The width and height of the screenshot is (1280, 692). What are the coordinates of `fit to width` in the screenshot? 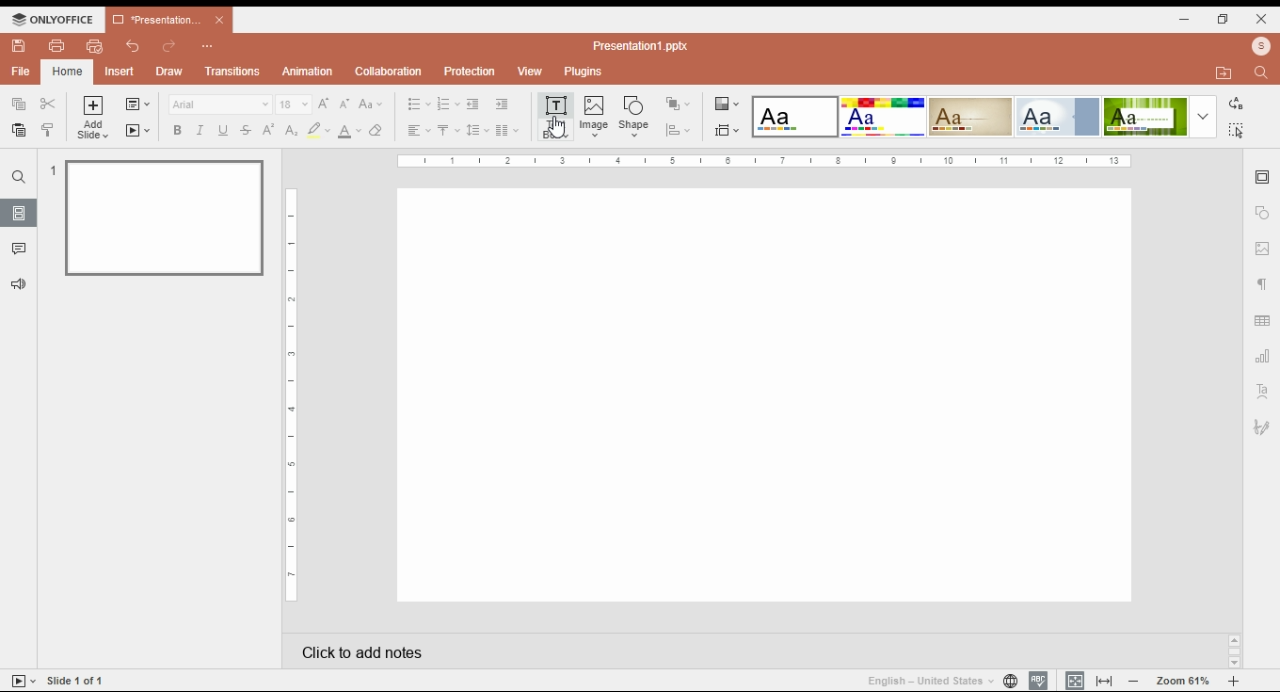 It's located at (1105, 680).